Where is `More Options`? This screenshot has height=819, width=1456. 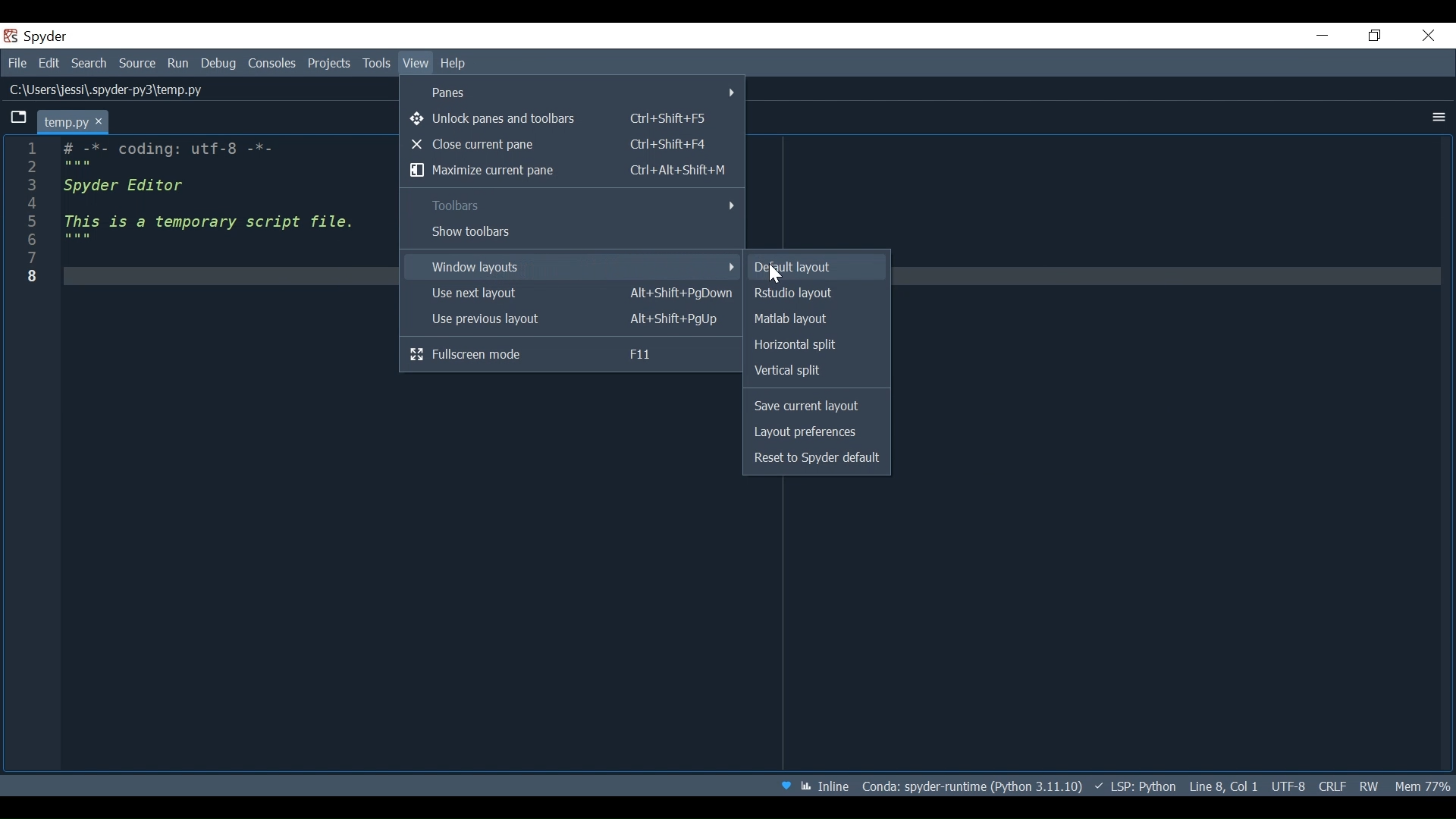 More Options is located at coordinates (1434, 117).